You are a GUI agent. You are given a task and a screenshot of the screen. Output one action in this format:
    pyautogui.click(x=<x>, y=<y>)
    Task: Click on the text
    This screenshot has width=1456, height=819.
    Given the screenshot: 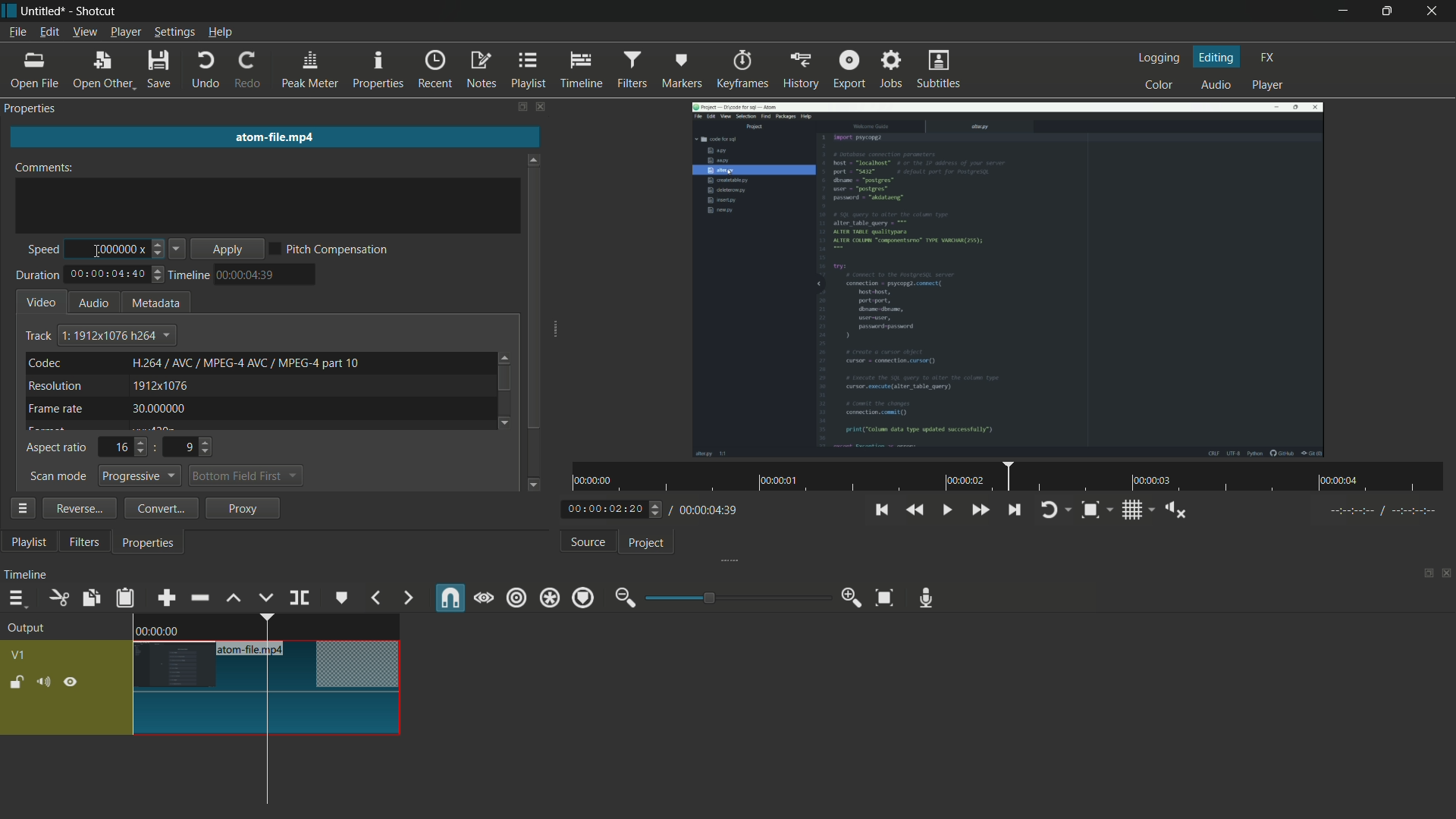 What is the action you would take?
    pyautogui.click(x=117, y=334)
    